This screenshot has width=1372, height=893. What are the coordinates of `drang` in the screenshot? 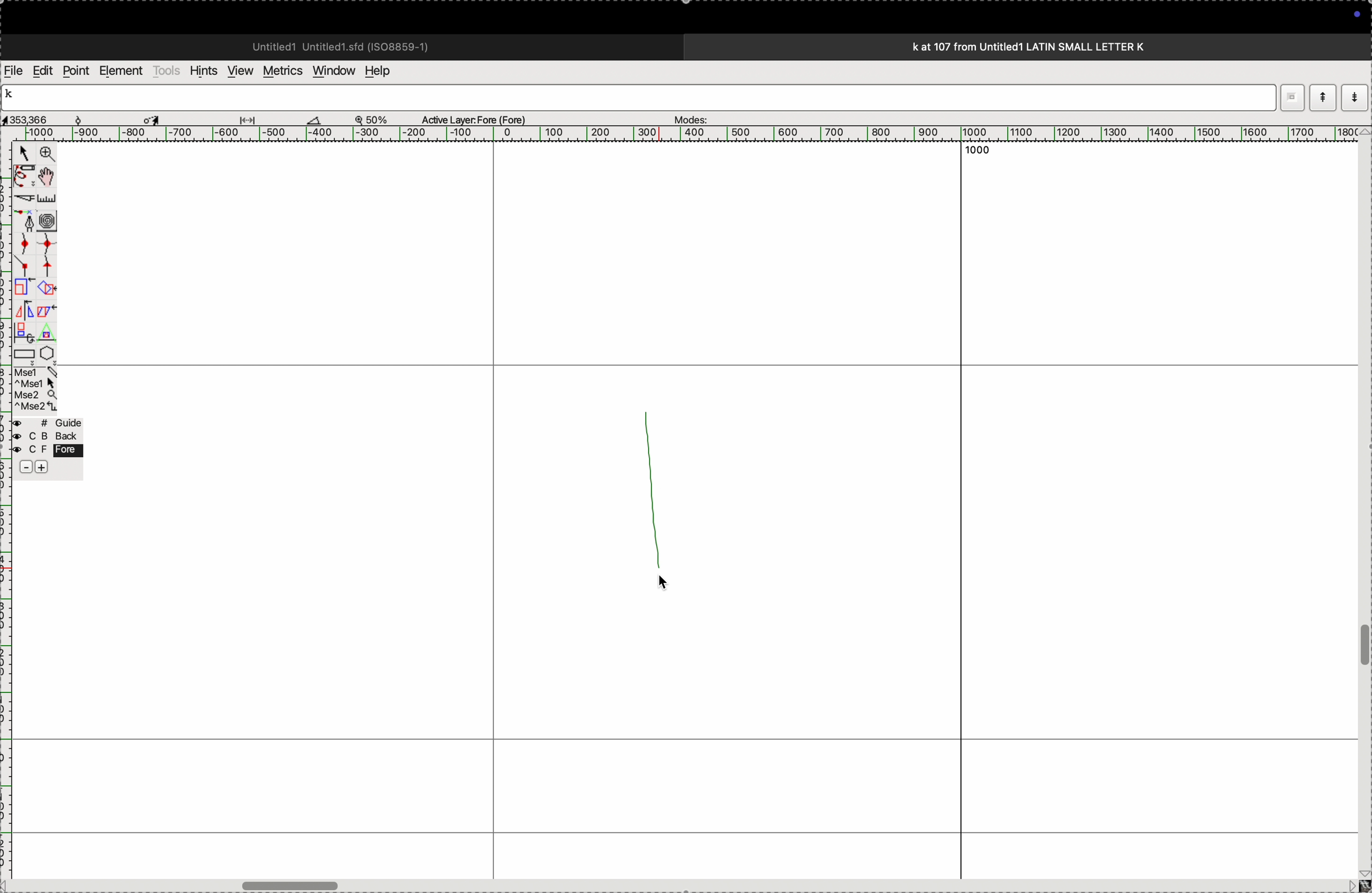 It's located at (254, 118).